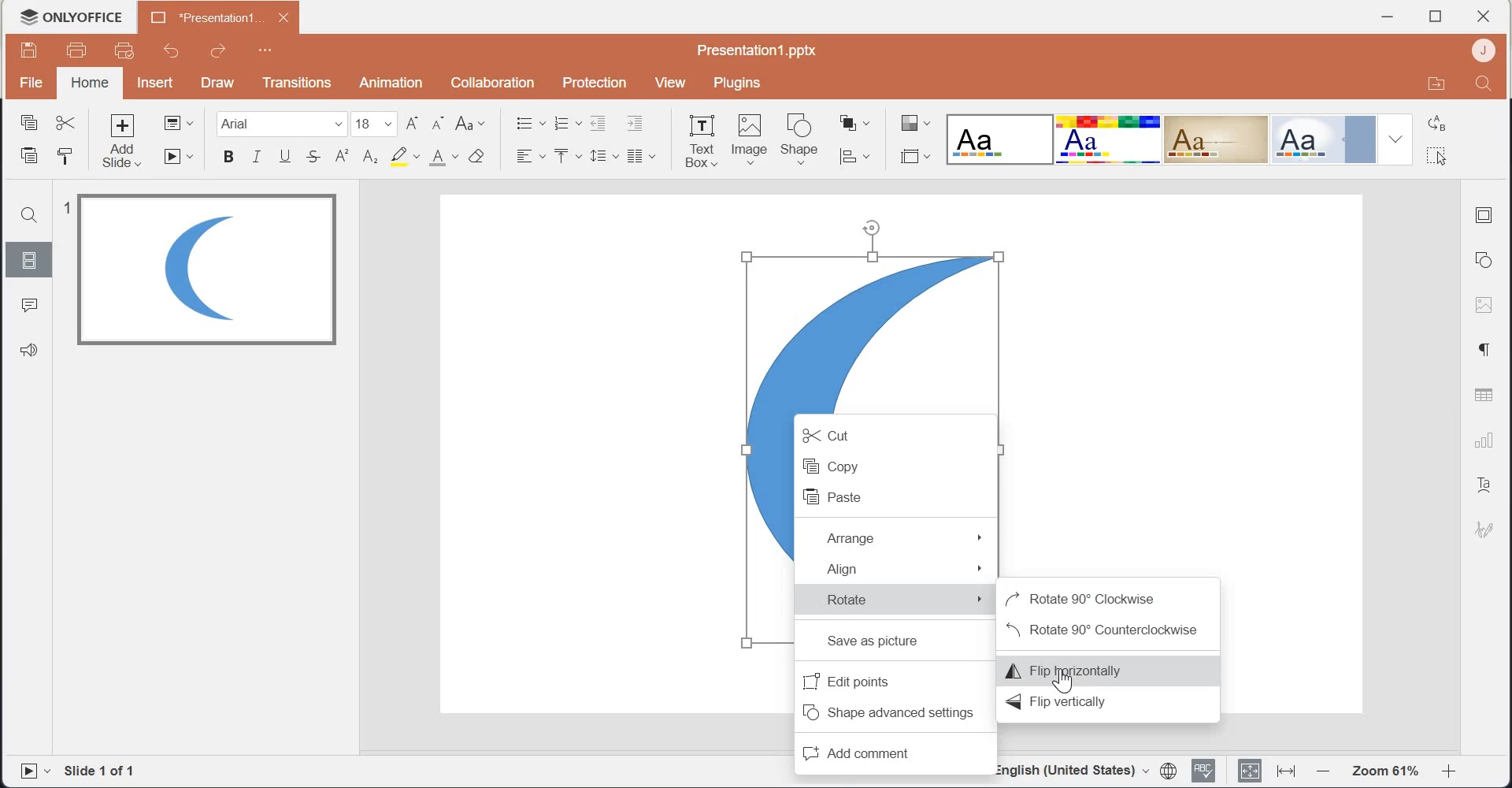 This screenshot has height=788, width=1512. What do you see at coordinates (700, 139) in the screenshot?
I see `Text Box` at bounding box center [700, 139].